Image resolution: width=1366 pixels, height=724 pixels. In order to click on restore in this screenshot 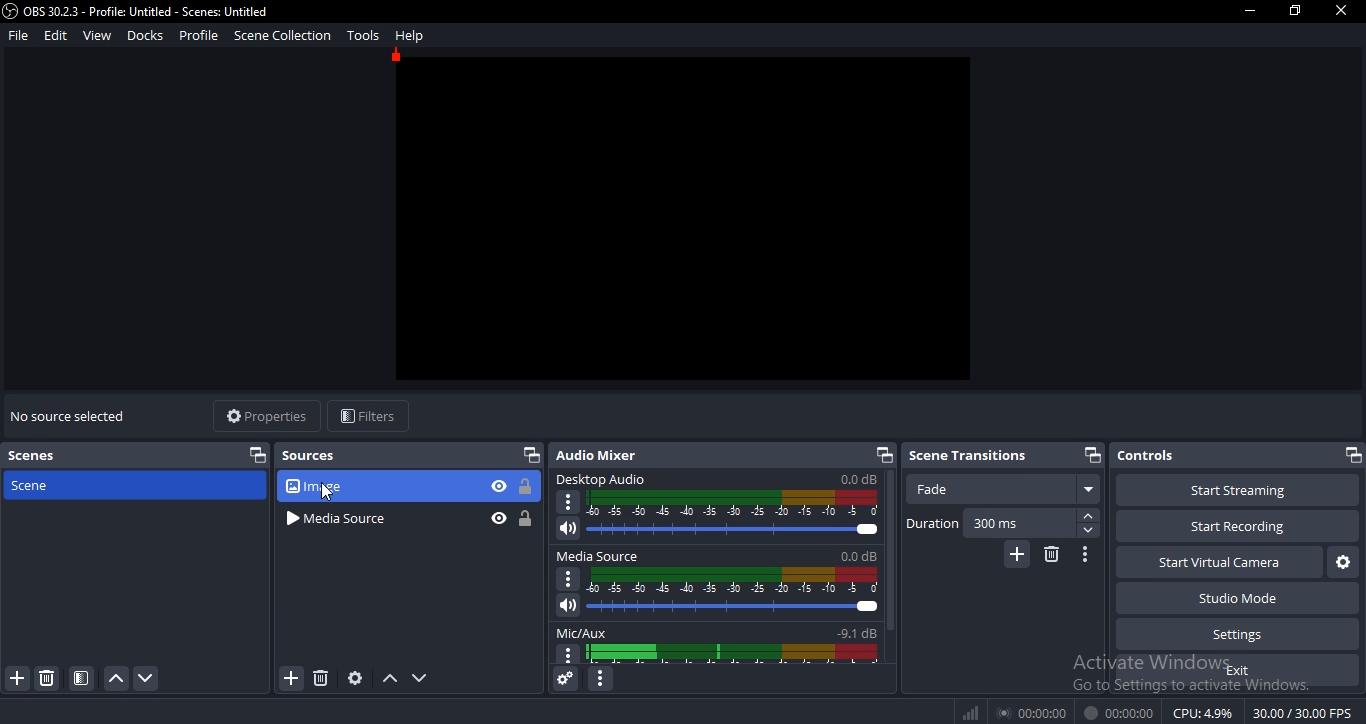, I will do `click(1355, 454)`.